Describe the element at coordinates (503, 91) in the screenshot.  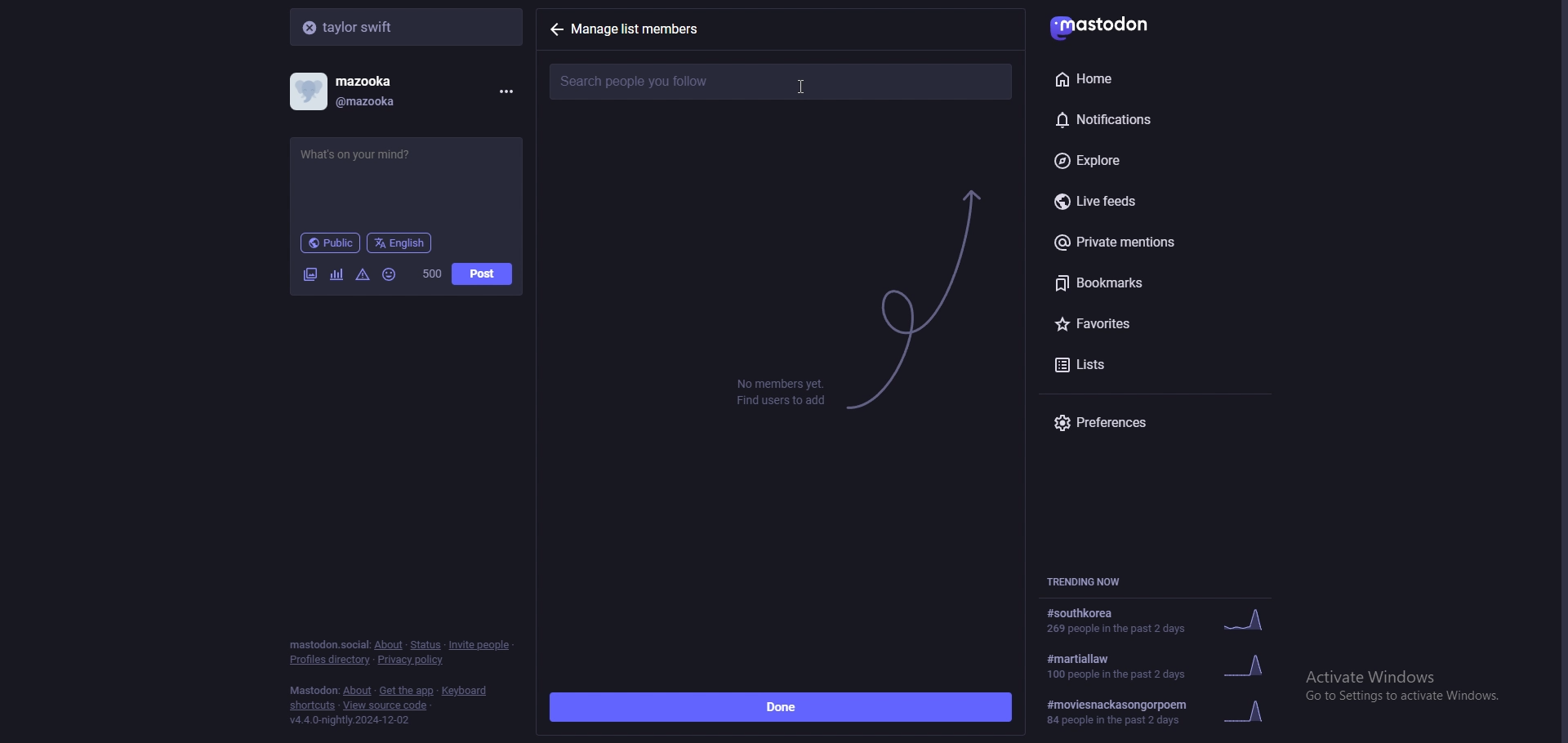
I see `menu` at that location.